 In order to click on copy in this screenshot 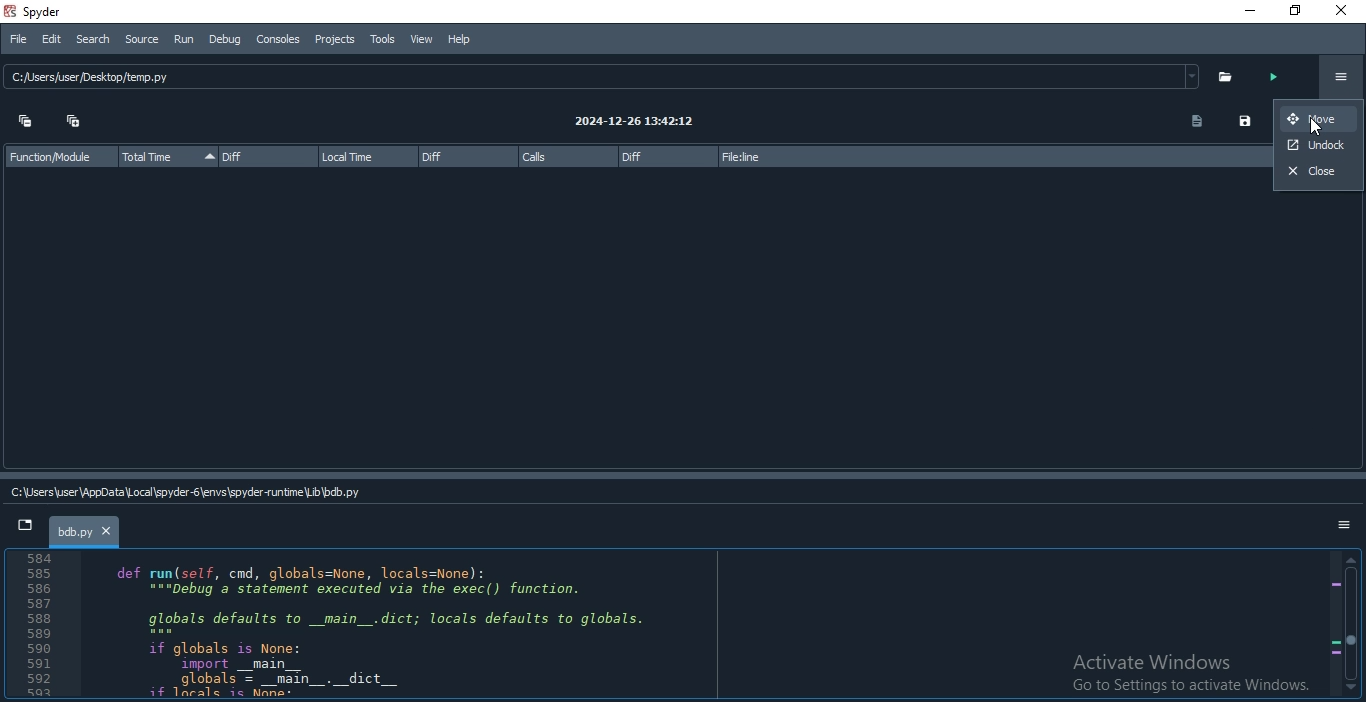, I will do `click(1191, 121)`.